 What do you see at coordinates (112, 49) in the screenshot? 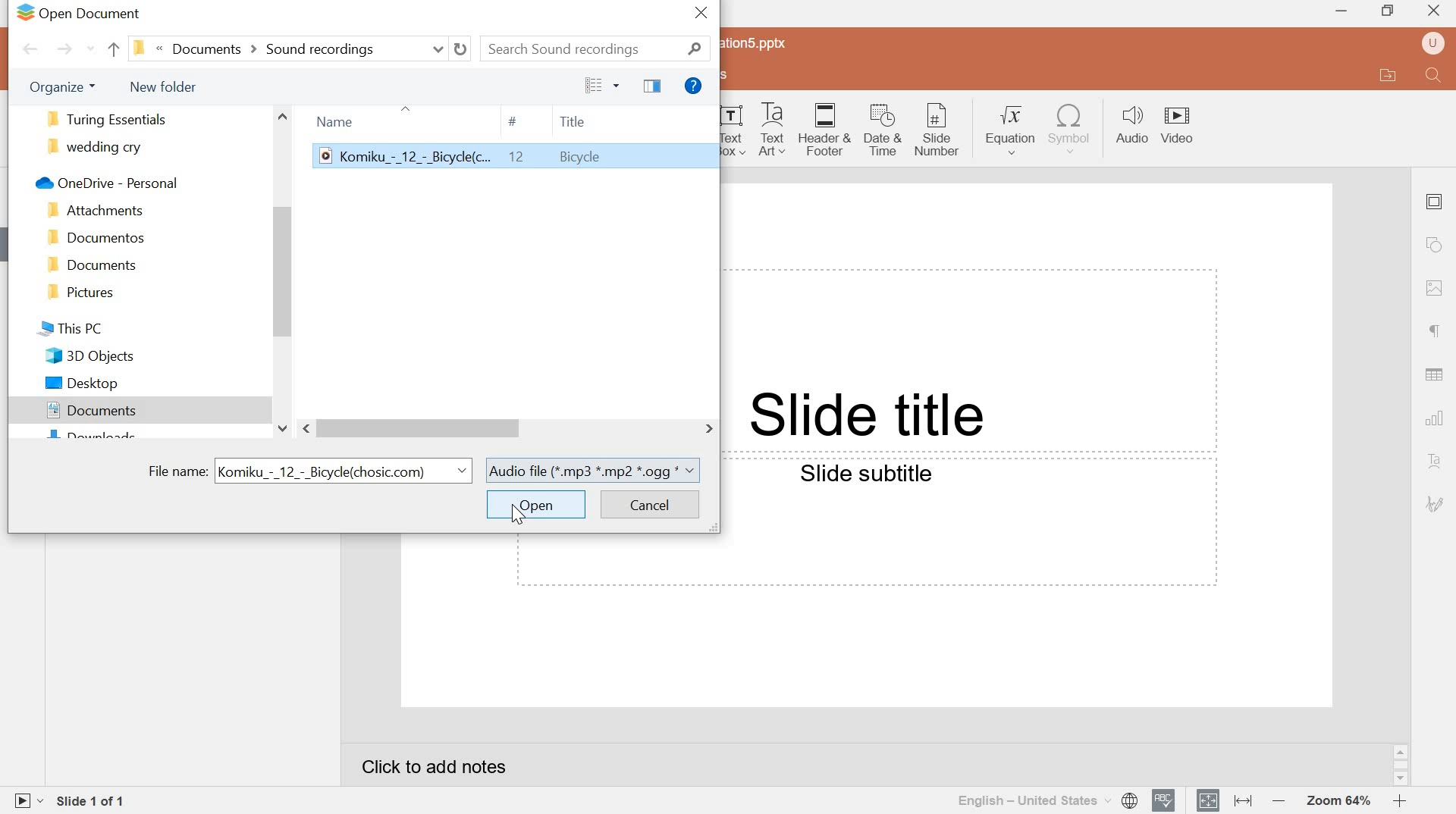
I see `back` at bounding box center [112, 49].